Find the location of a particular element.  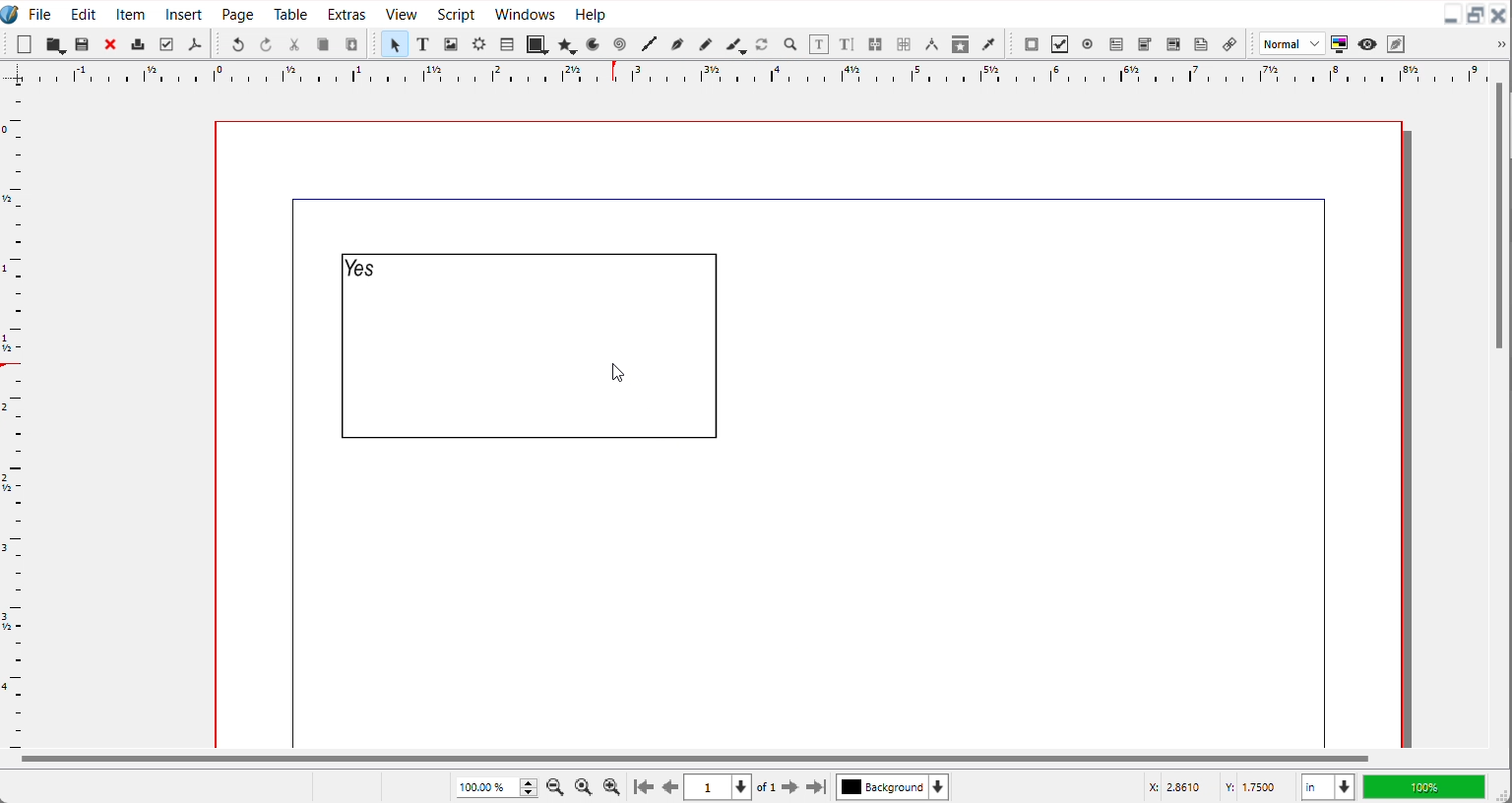

Edit content with frame is located at coordinates (819, 44).